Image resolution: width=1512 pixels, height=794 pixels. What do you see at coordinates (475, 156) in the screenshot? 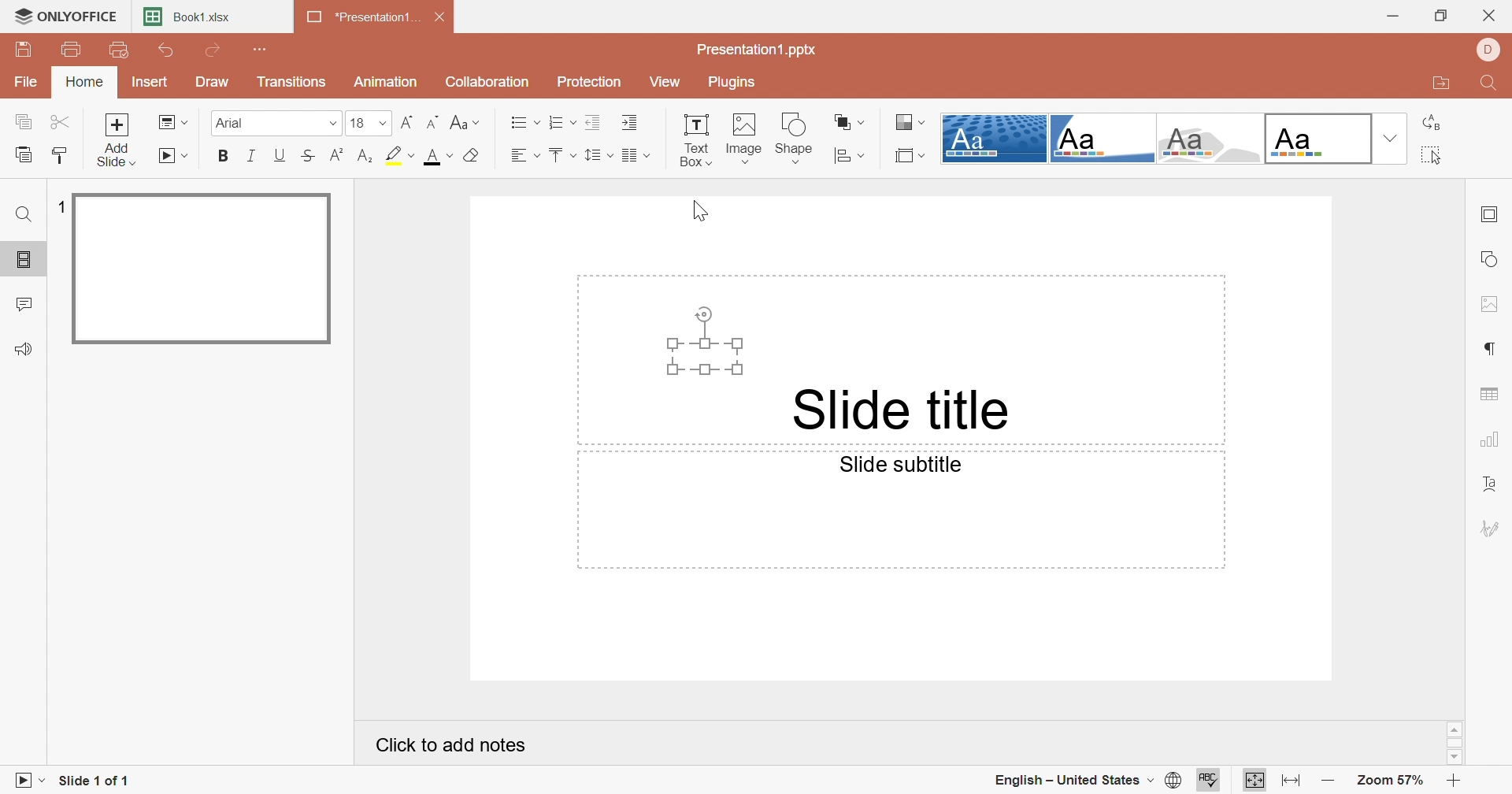
I see `Clear style` at bounding box center [475, 156].